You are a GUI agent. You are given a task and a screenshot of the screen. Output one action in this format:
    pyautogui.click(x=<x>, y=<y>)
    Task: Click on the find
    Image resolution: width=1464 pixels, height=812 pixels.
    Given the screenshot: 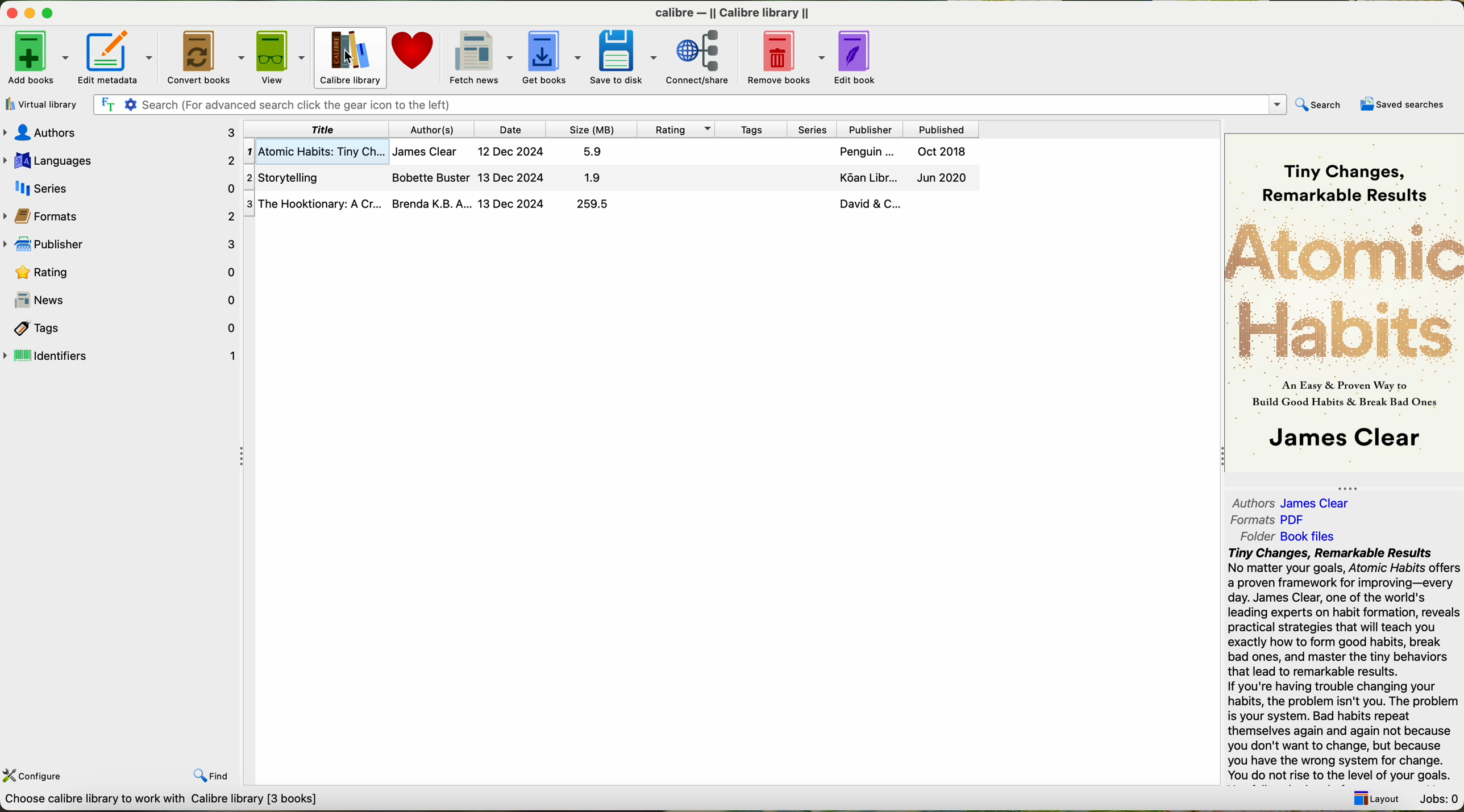 What is the action you would take?
    pyautogui.click(x=215, y=772)
    